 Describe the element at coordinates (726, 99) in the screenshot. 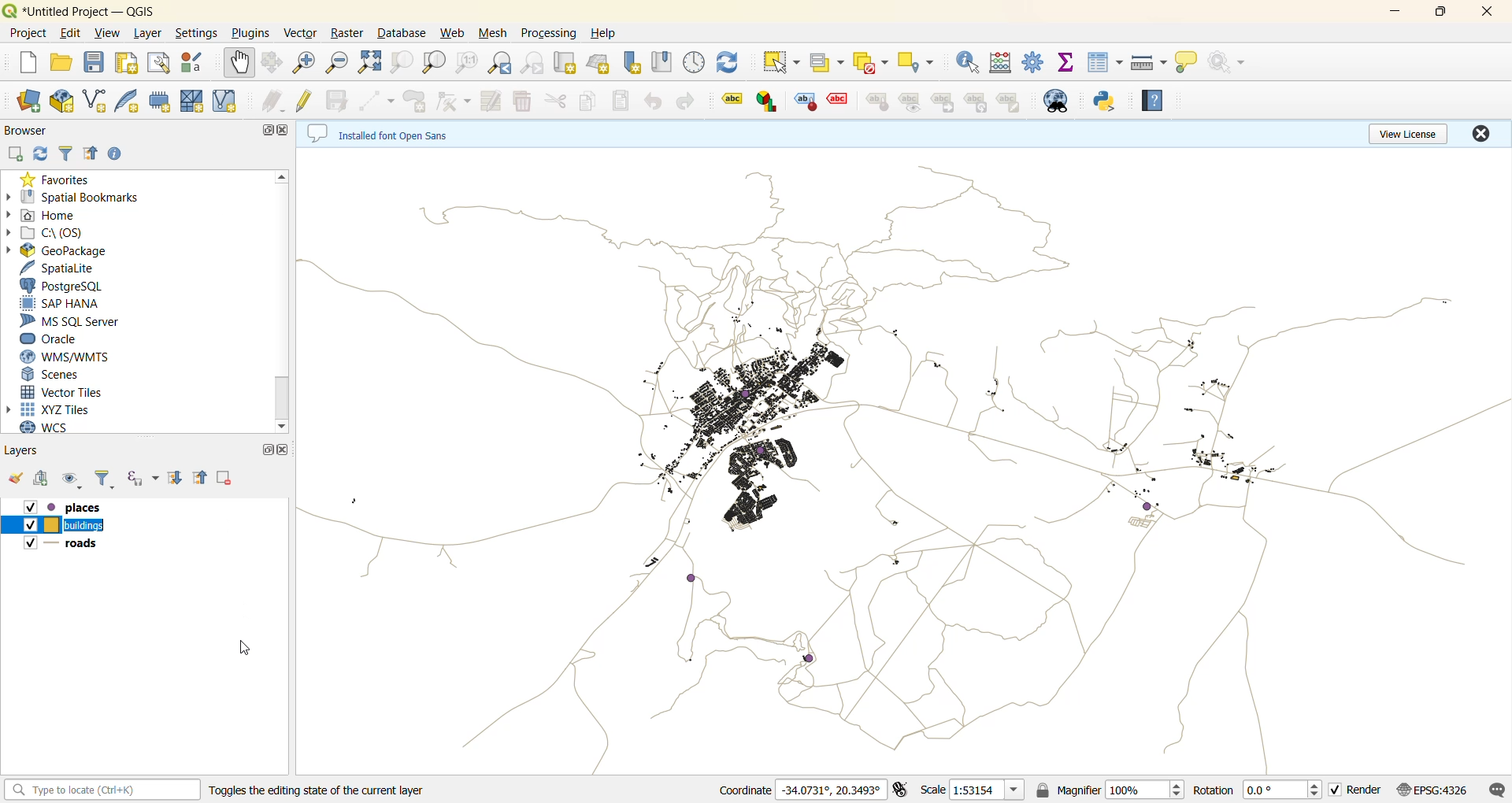

I see `label` at that location.